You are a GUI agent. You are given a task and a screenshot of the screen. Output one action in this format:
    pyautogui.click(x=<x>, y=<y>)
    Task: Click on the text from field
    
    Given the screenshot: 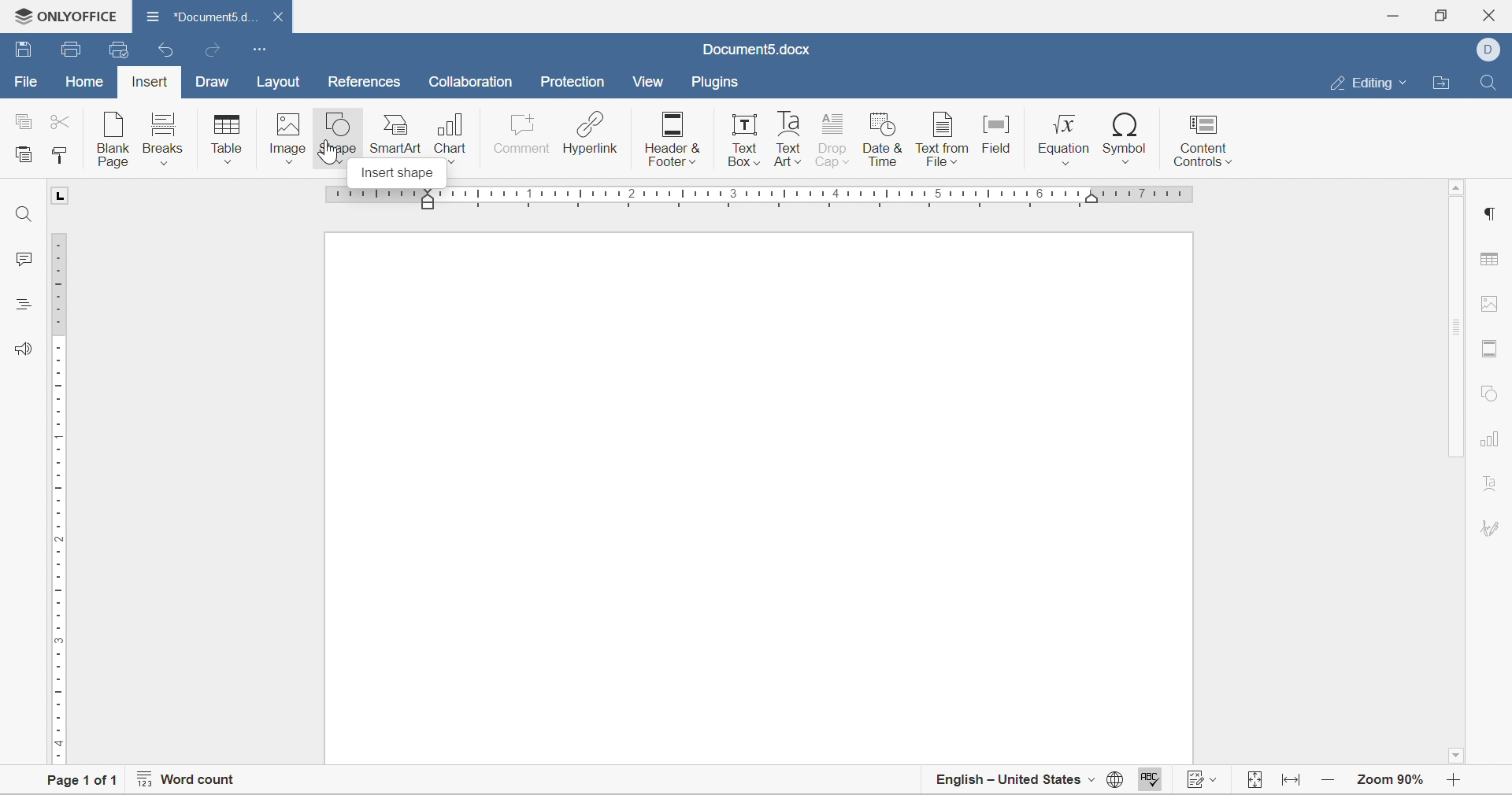 What is the action you would take?
    pyautogui.click(x=943, y=139)
    